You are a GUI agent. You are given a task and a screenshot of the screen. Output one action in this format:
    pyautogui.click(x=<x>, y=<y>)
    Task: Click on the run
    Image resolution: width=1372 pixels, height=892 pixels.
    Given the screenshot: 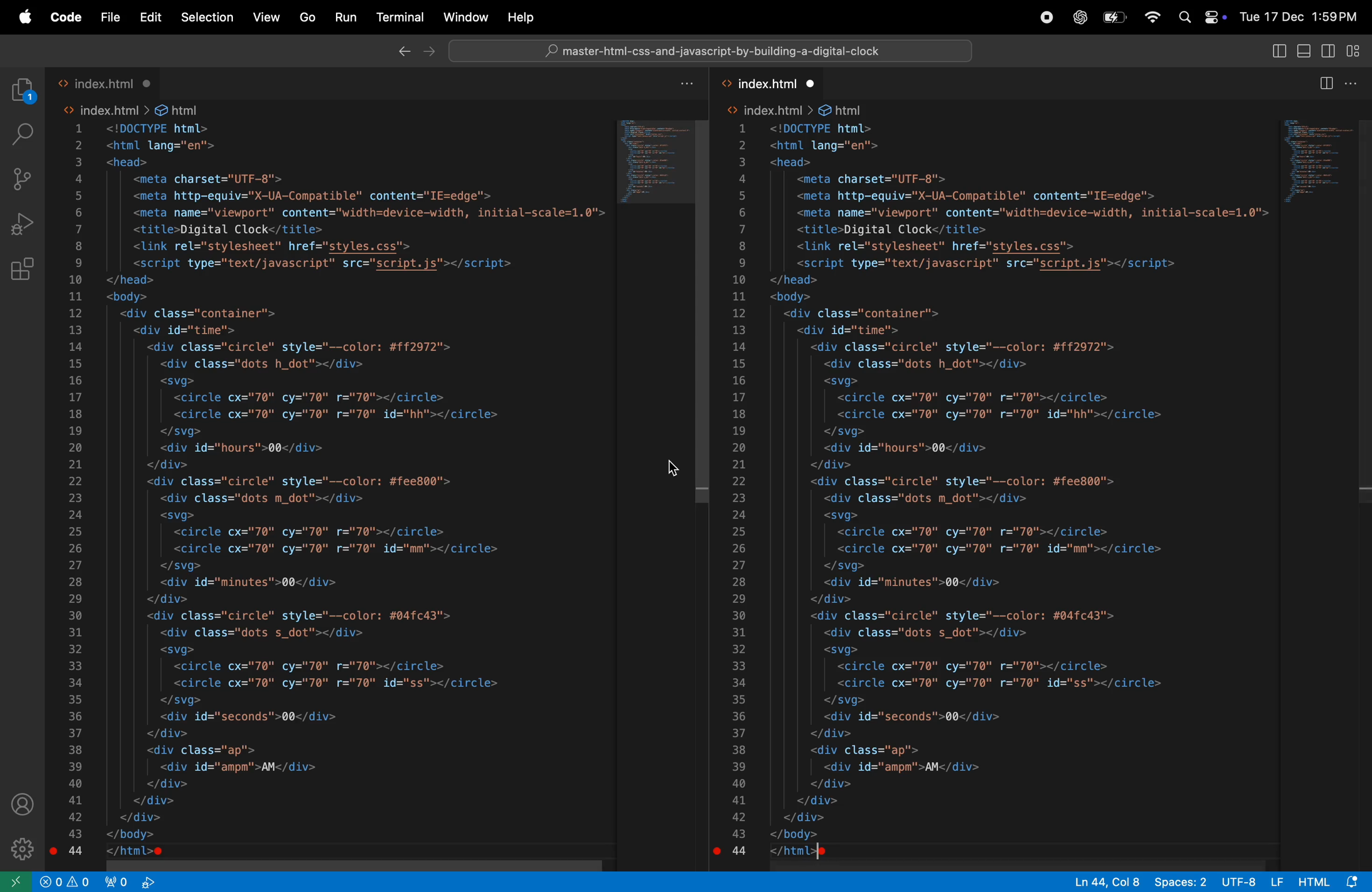 What is the action you would take?
    pyautogui.click(x=345, y=19)
    